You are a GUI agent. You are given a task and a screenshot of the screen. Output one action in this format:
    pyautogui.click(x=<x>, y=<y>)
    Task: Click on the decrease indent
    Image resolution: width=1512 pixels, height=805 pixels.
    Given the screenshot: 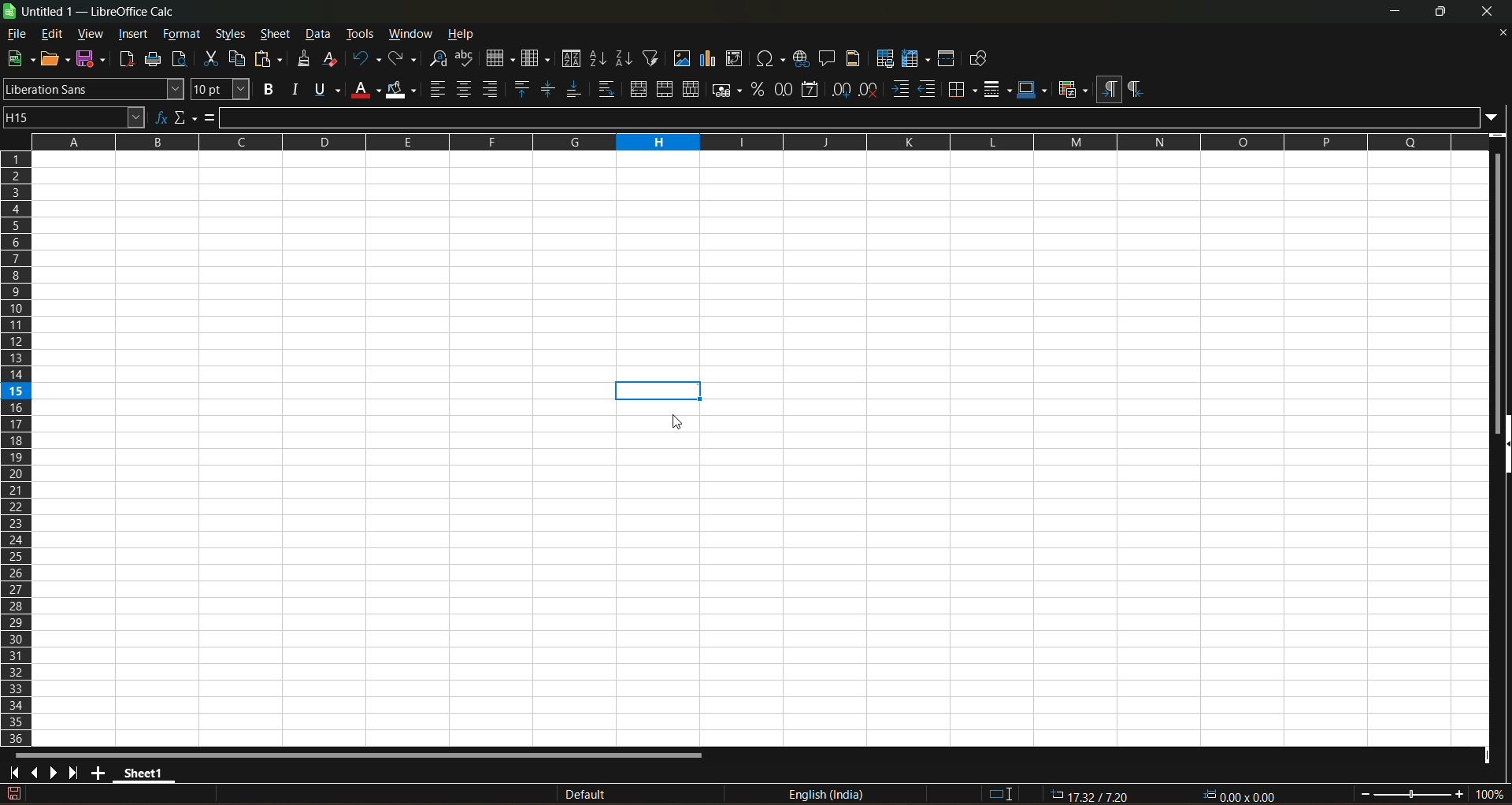 What is the action you would take?
    pyautogui.click(x=927, y=88)
    